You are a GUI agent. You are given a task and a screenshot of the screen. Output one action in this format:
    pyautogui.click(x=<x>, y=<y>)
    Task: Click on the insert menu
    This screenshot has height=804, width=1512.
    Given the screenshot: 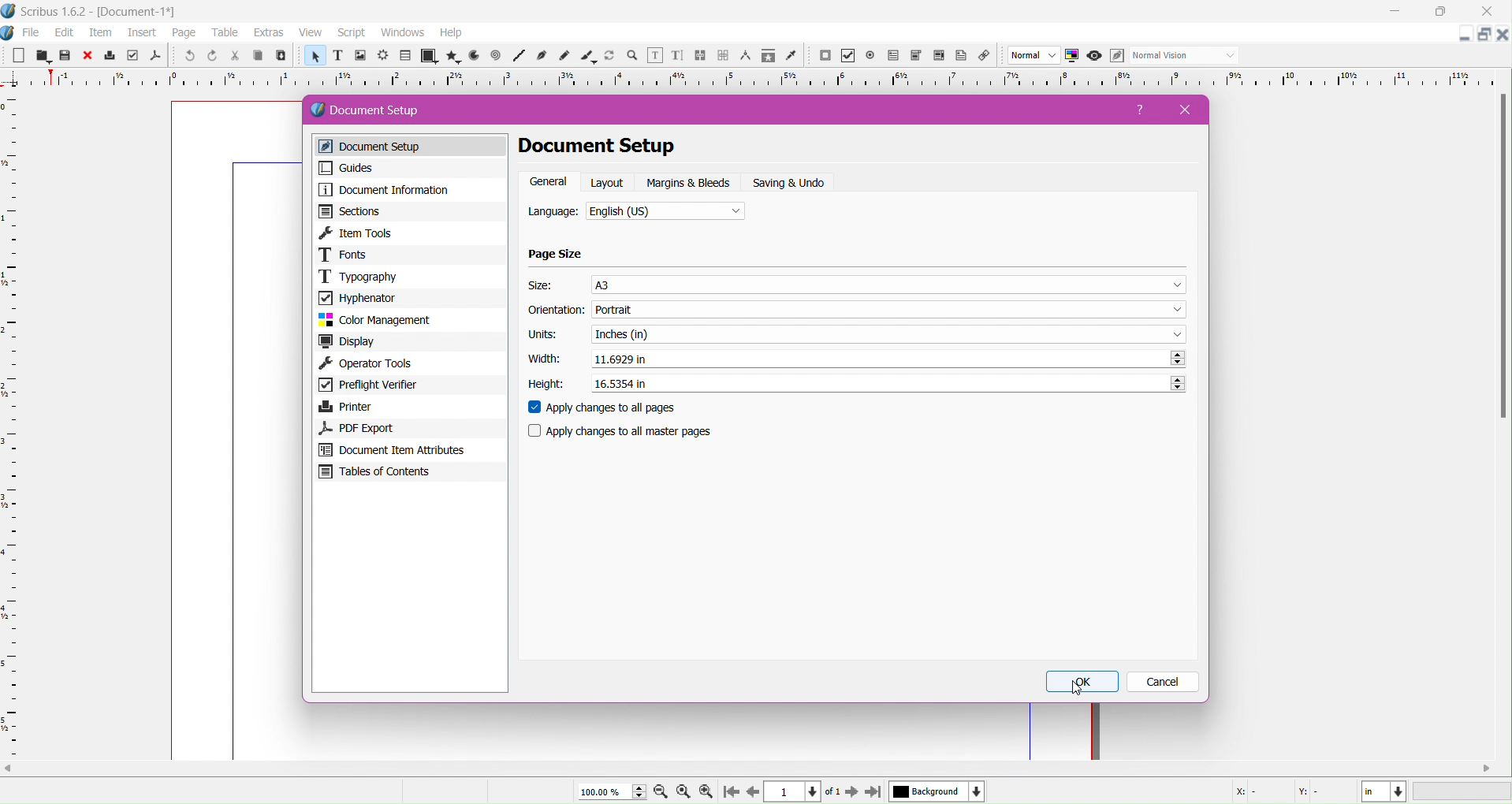 What is the action you would take?
    pyautogui.click(x=142, y=34)
    